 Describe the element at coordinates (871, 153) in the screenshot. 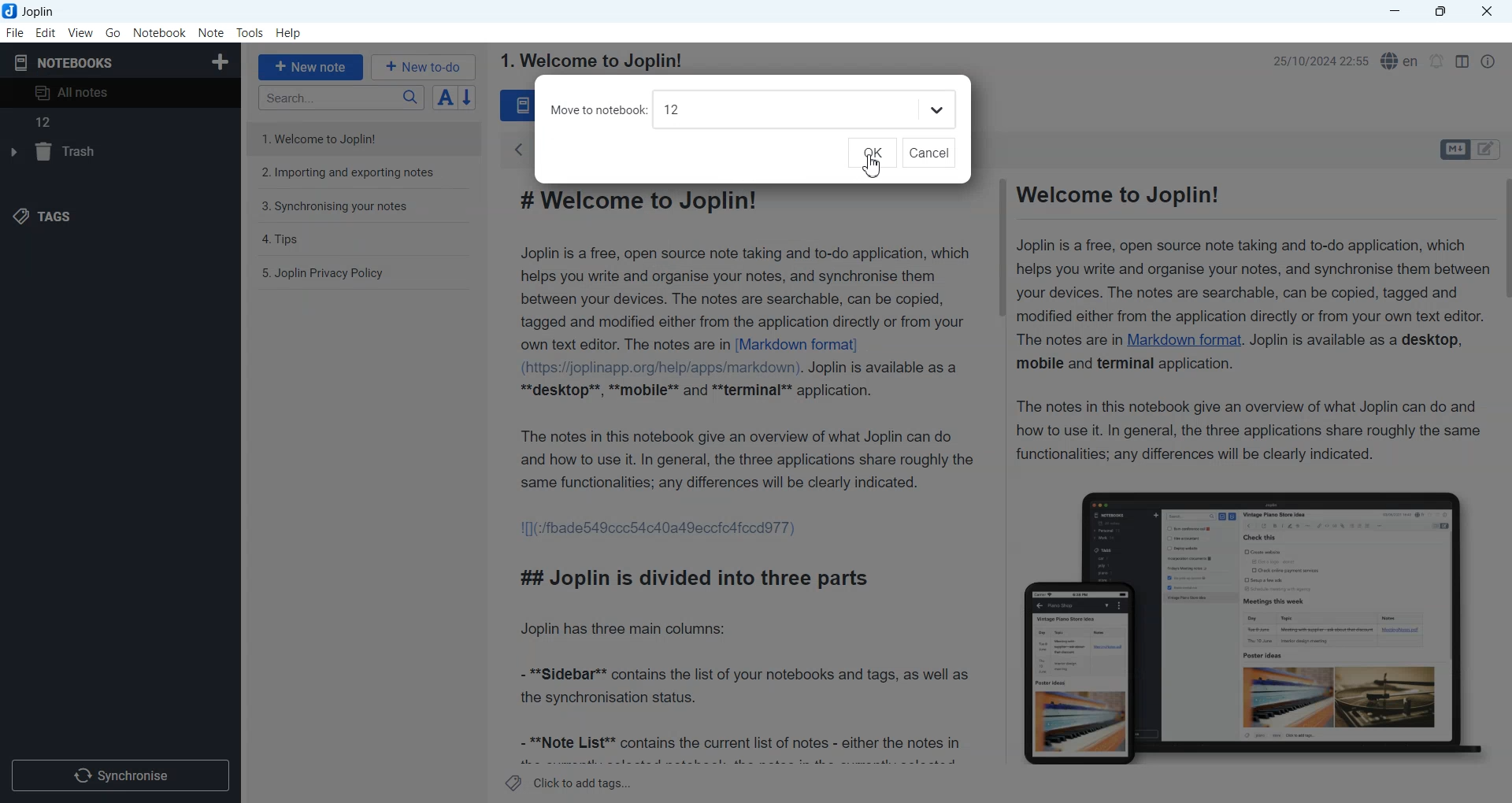

I see `OK` at that location.